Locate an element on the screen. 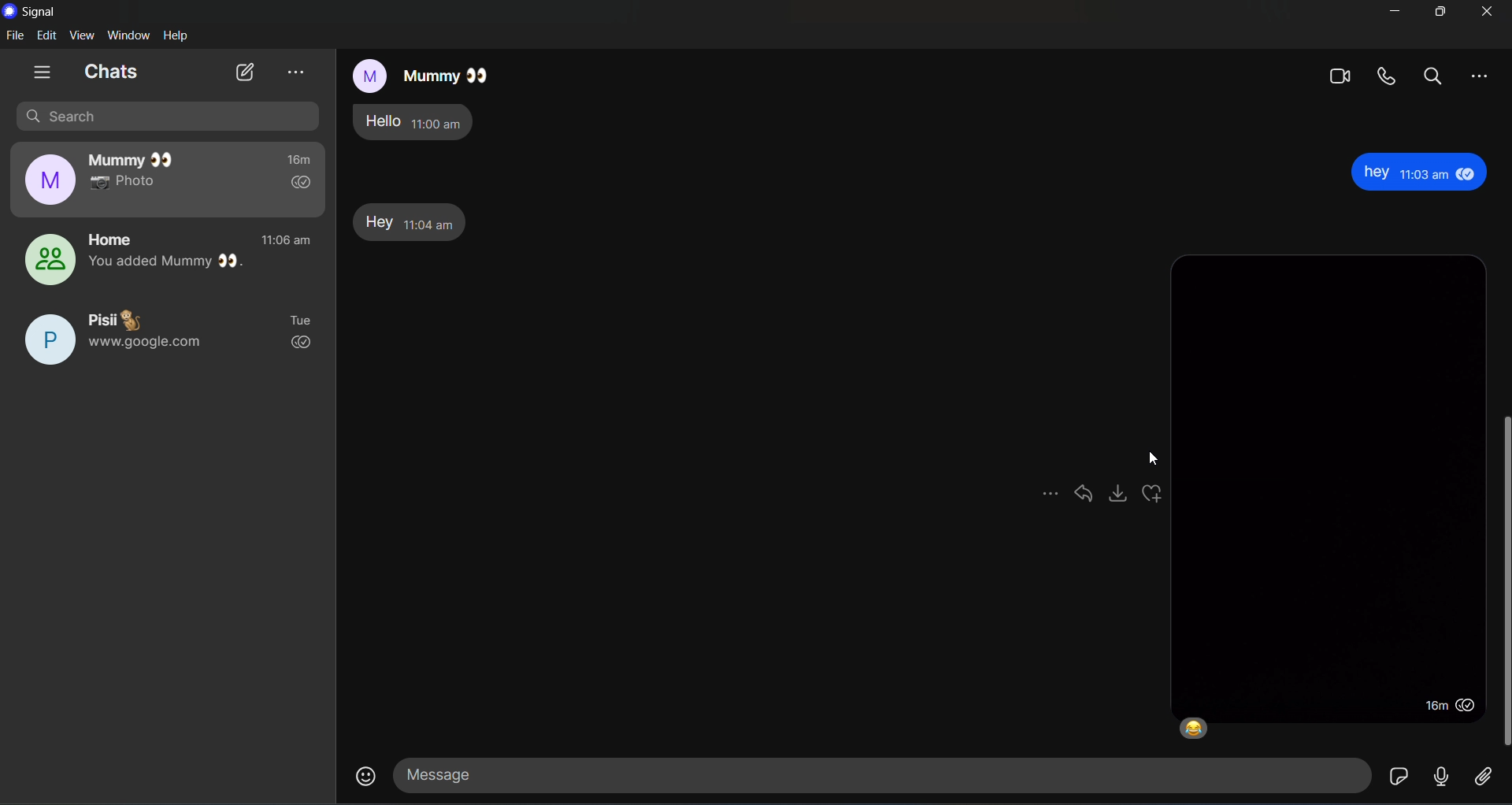 The width and height of the screenshot is (1512, 805). pisii chat is located at coordinates (166, 341).